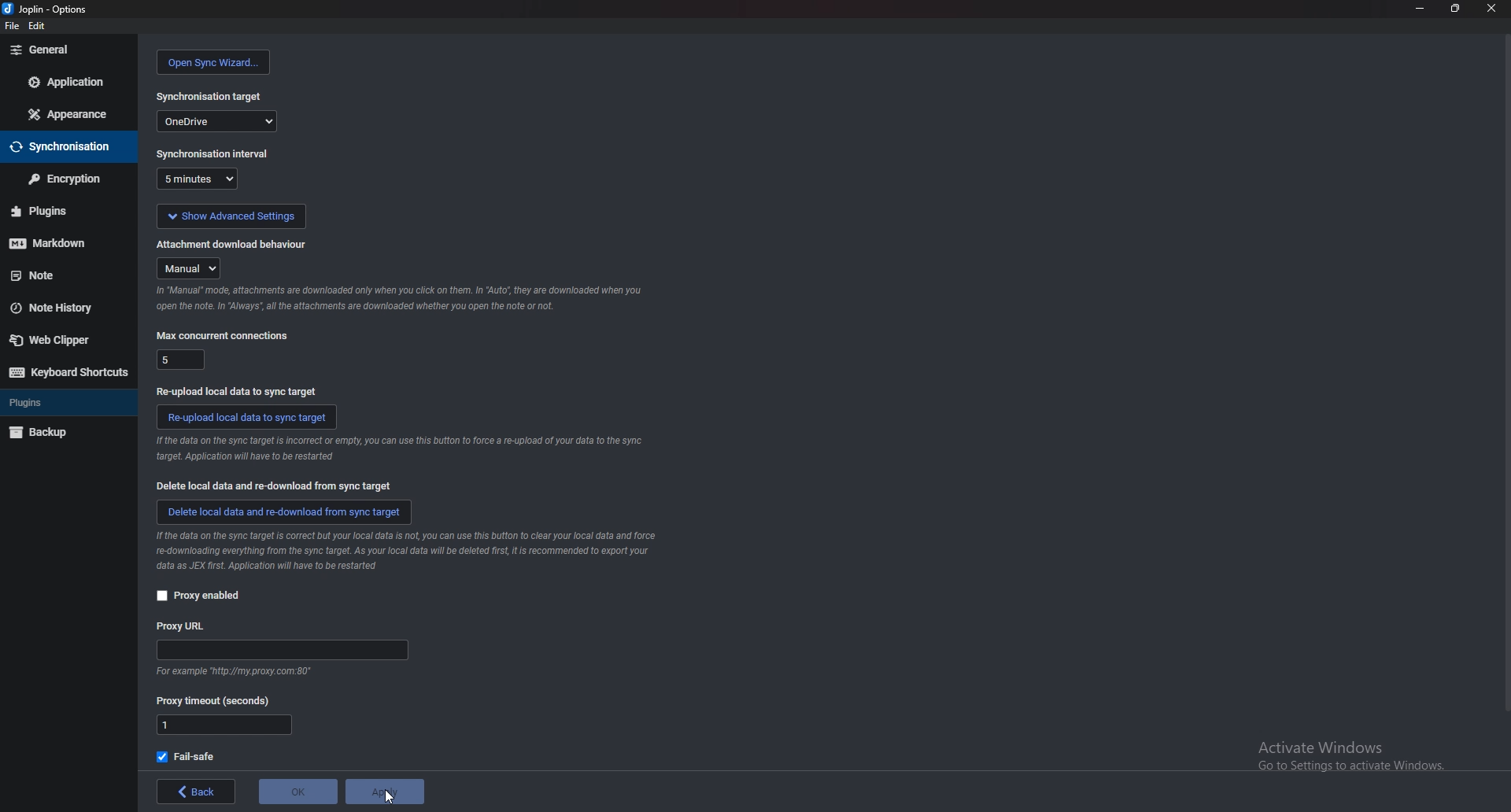 This screenshot has height=812, width=1511. What do you see at coordinates (190, 269) in the screenshot?
I see `always` at bounding box center [190, 269].